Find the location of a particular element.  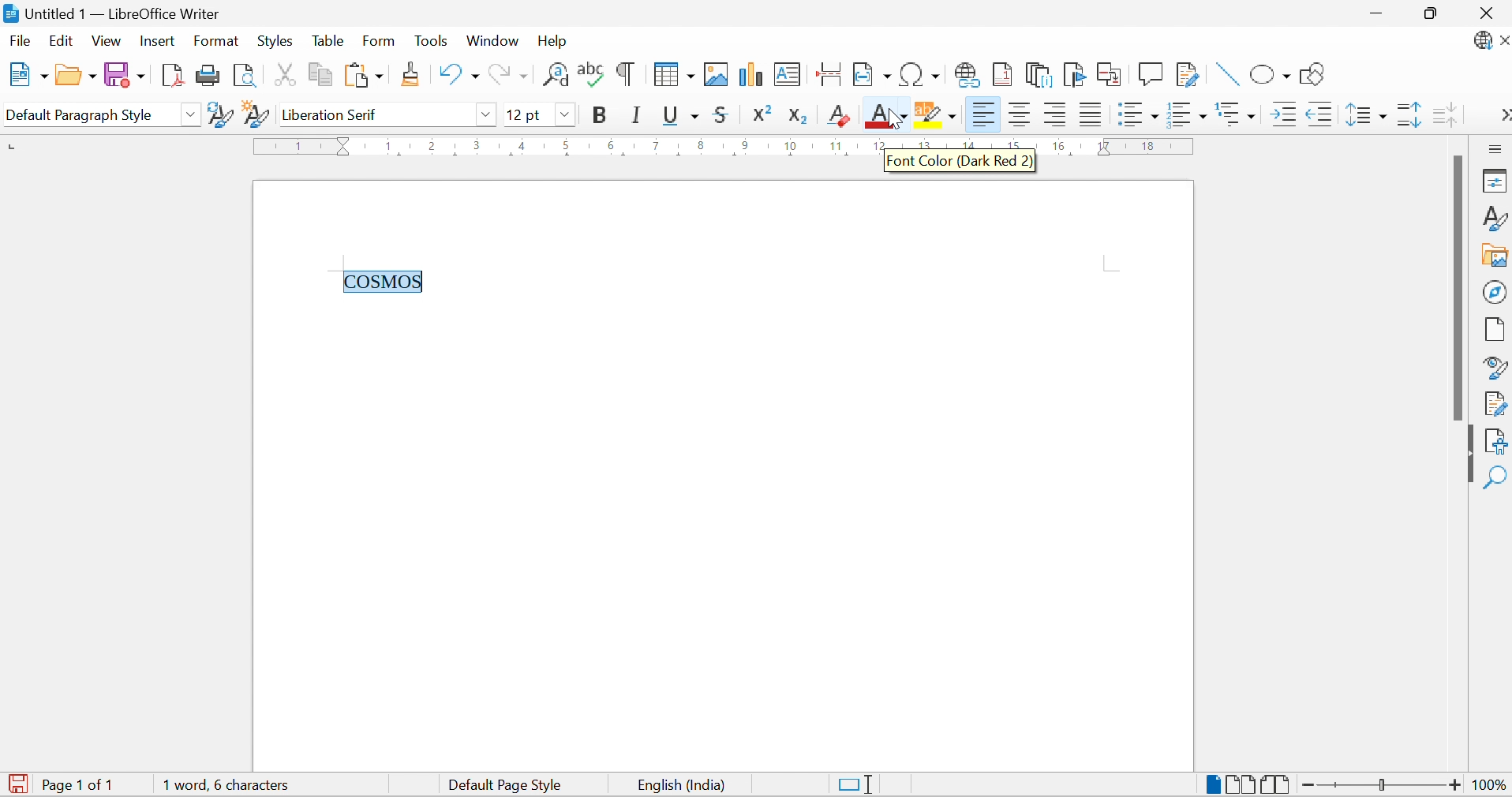

Insert Chart is located at coordinates (750, 74).